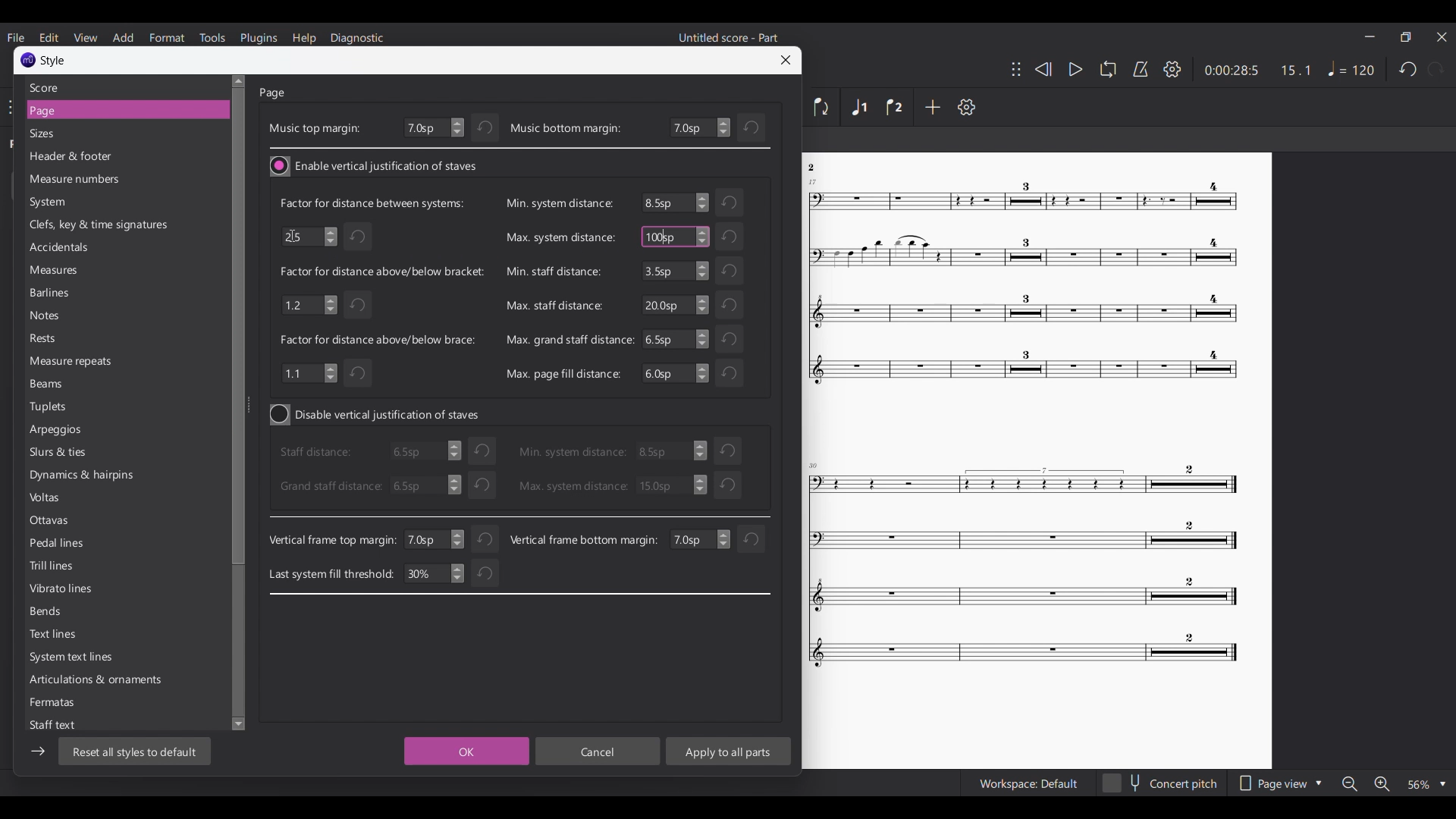 This screenshot has width=1456, height=819. What do you see at coordinates (359, 304) in the screenshot?
I see `Undo` at bounding box center [359, 304].